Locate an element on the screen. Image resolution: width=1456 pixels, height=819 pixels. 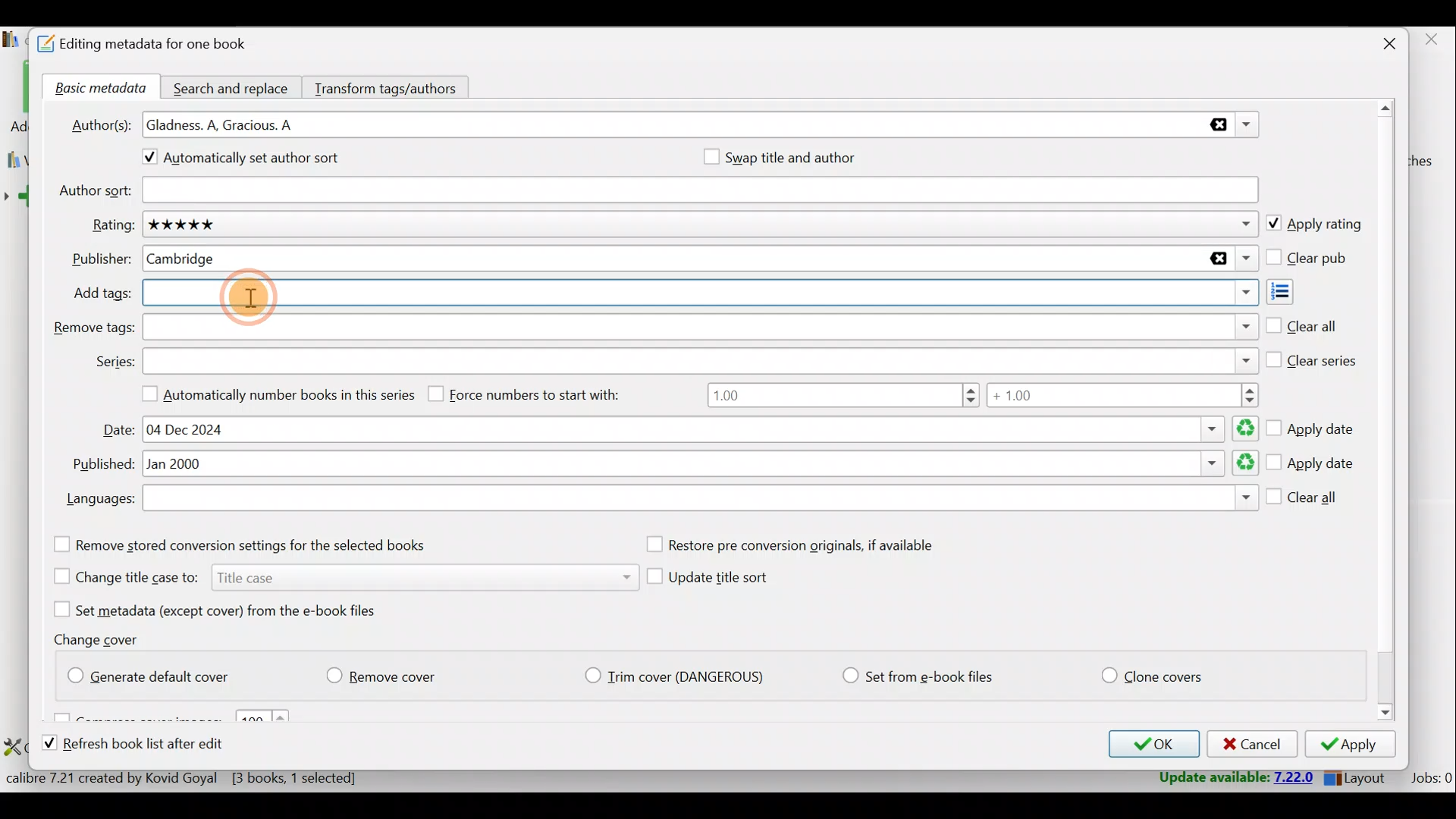
Apply date is located at coordinates (1311, 464).